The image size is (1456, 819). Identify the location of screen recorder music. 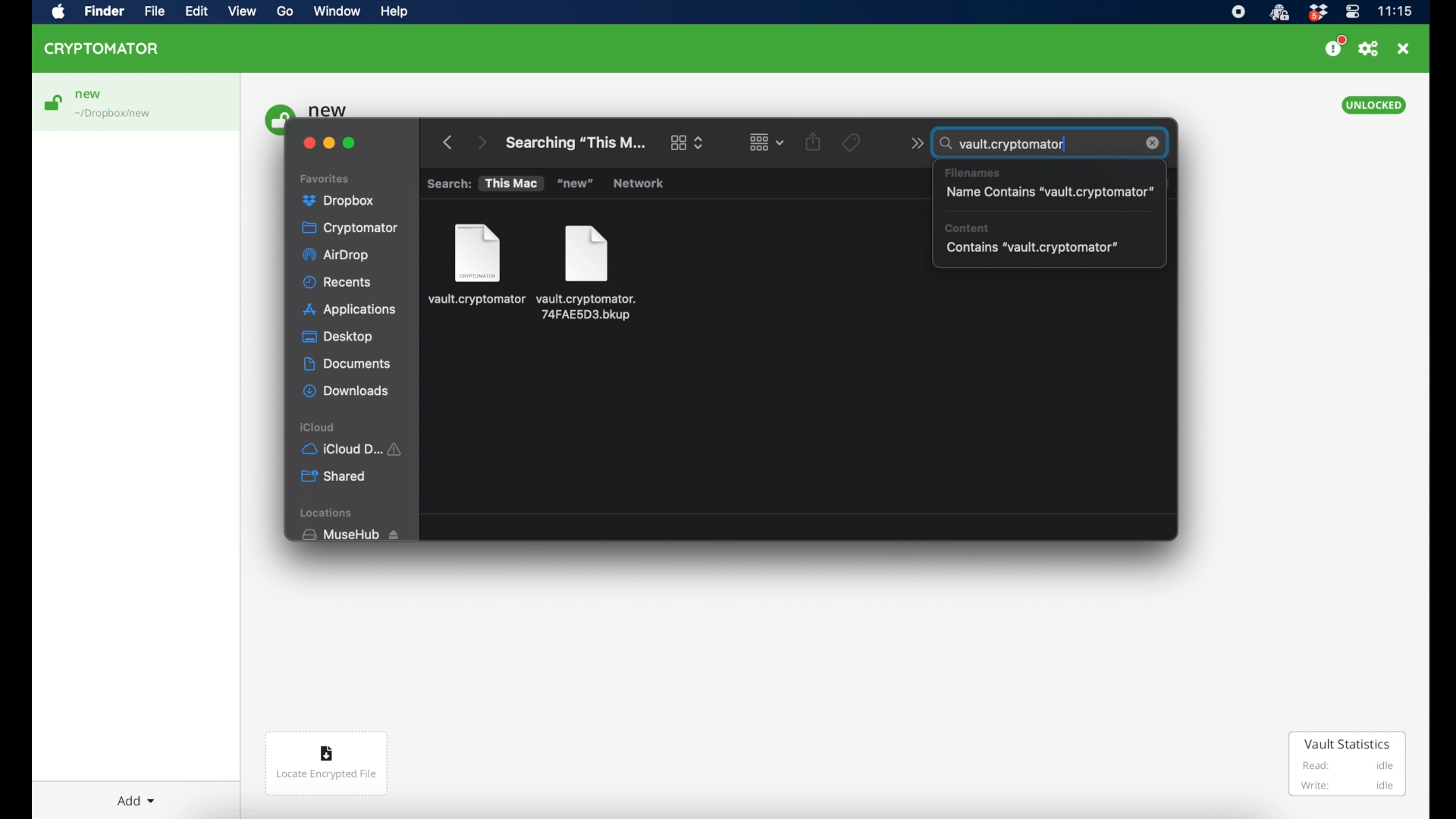
(1238, 12).